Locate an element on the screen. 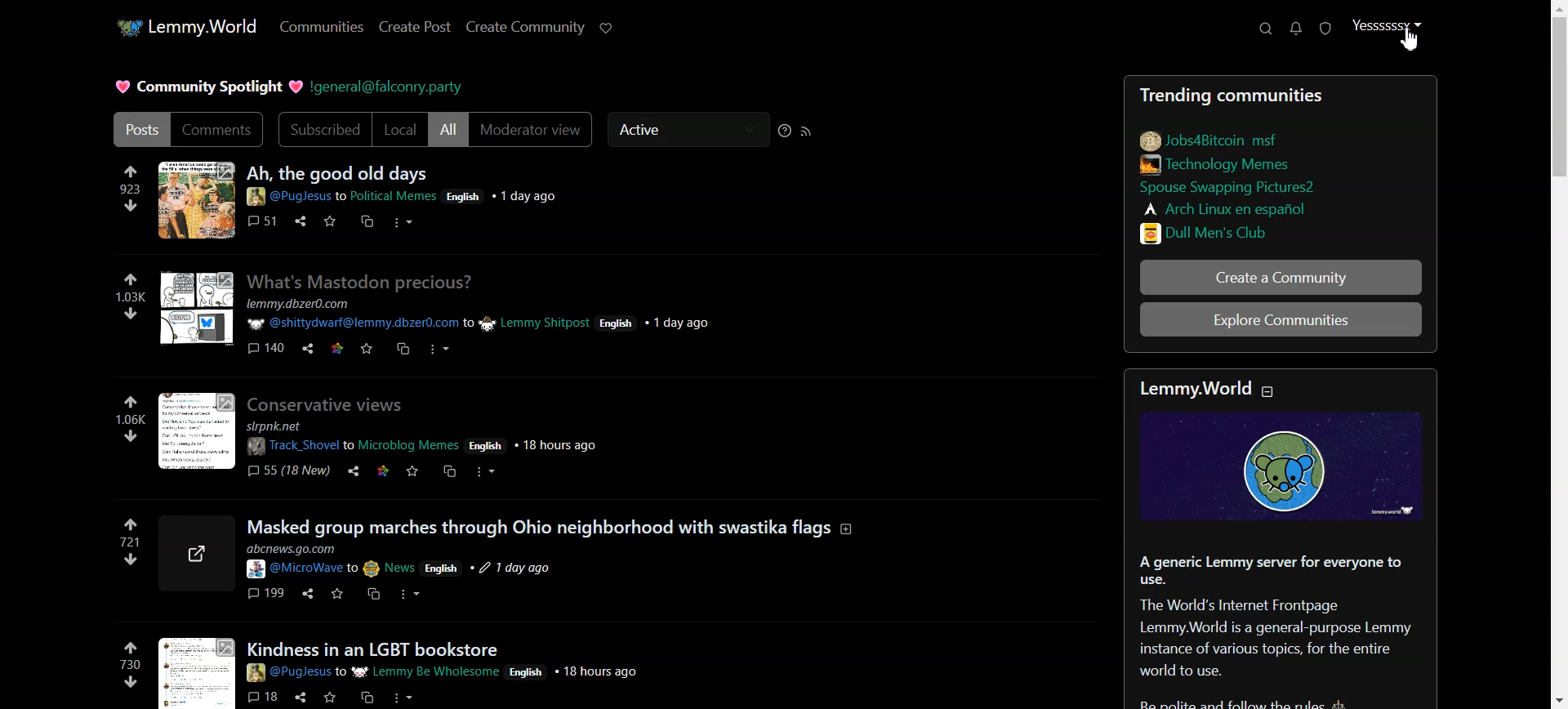  upvote is located at coordinates (134, 279).